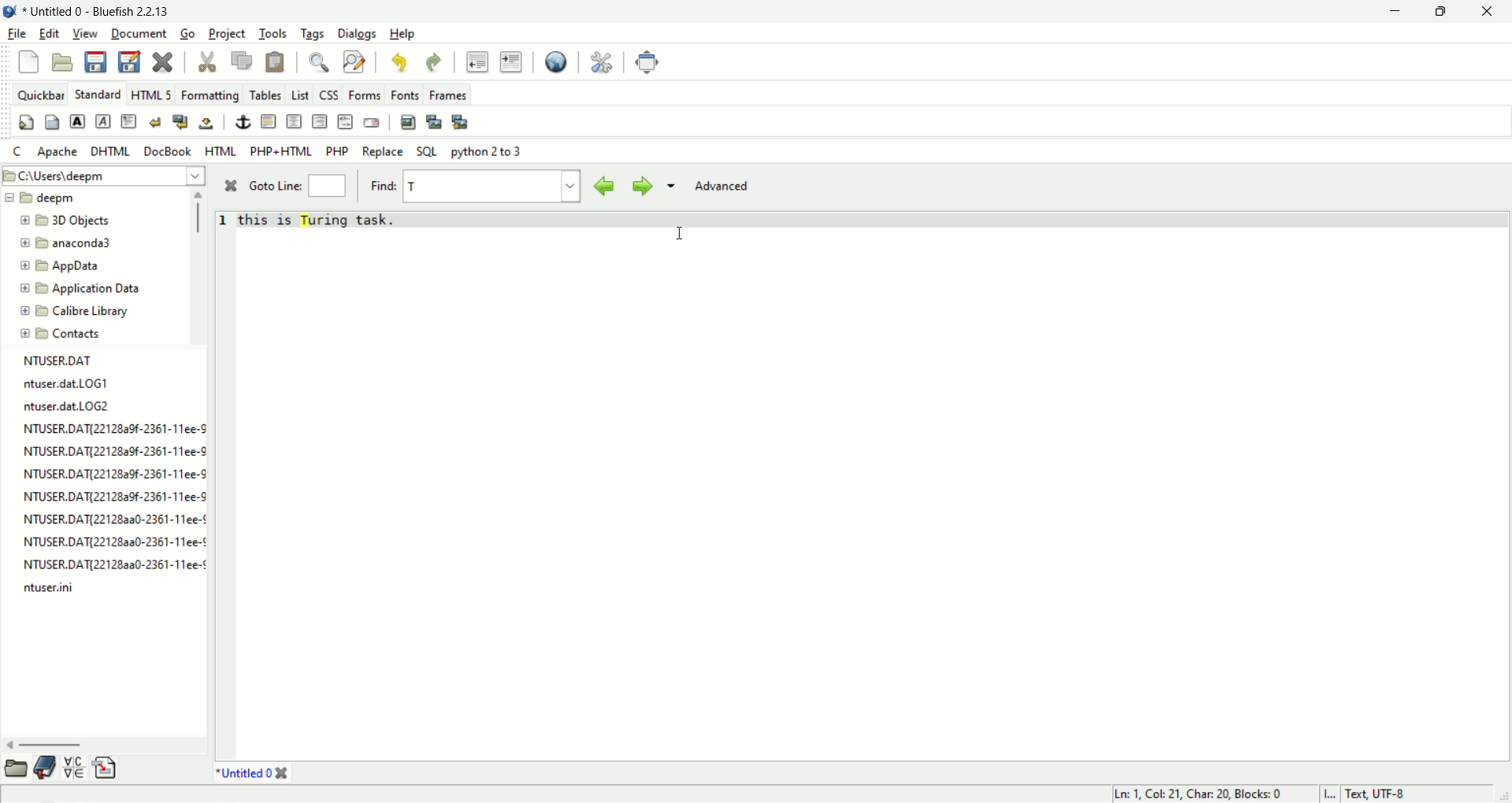 This screenshot has height=803, width=1512. Describe the element at coordinates (19, 153) in the screenshot. I see `c ` at that location.